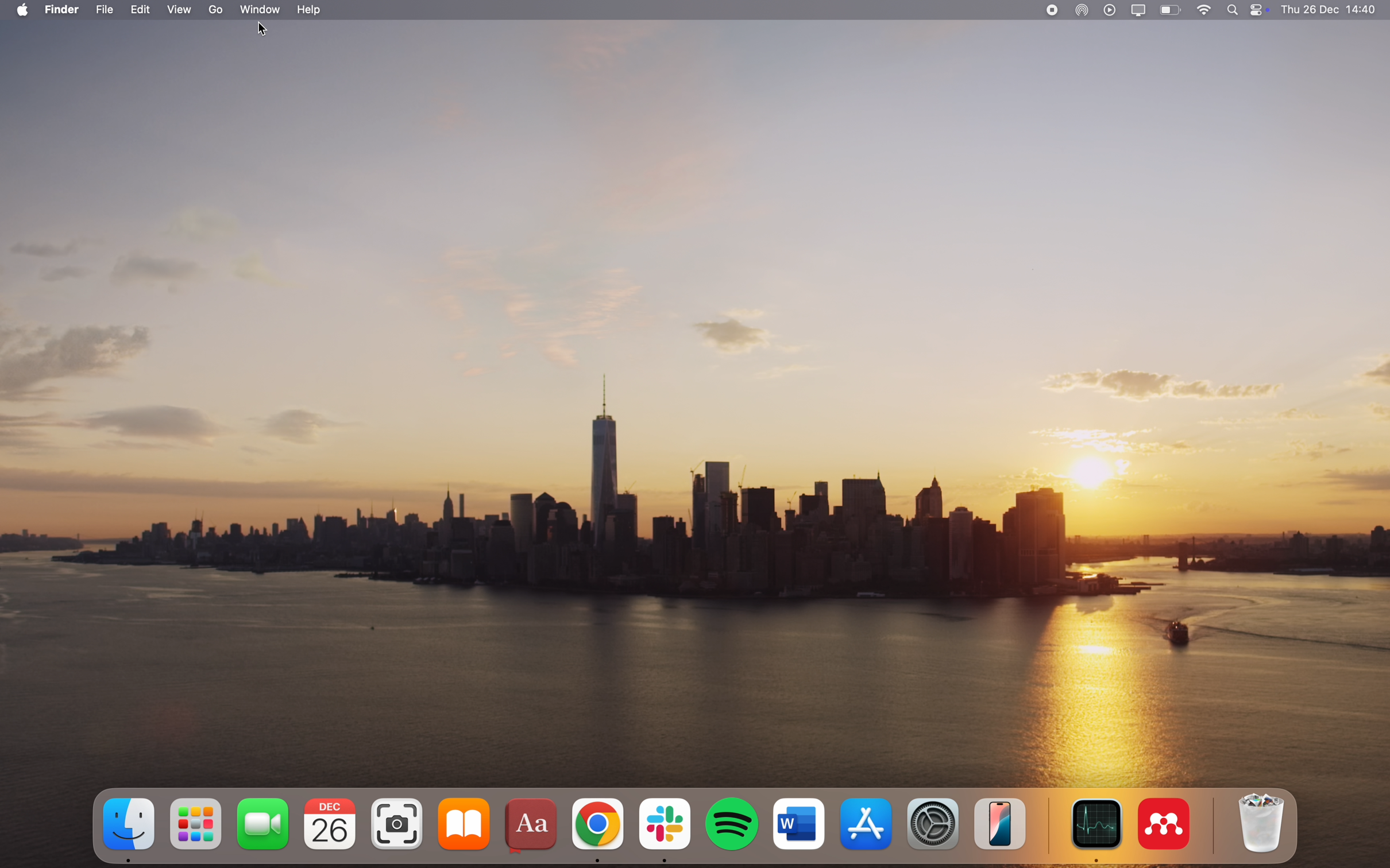 This screenshot has height=868, width=1390. What do you see at coordinates (864, 824) in the screenshot?
I see `app store` at bounding box center [864, 824].